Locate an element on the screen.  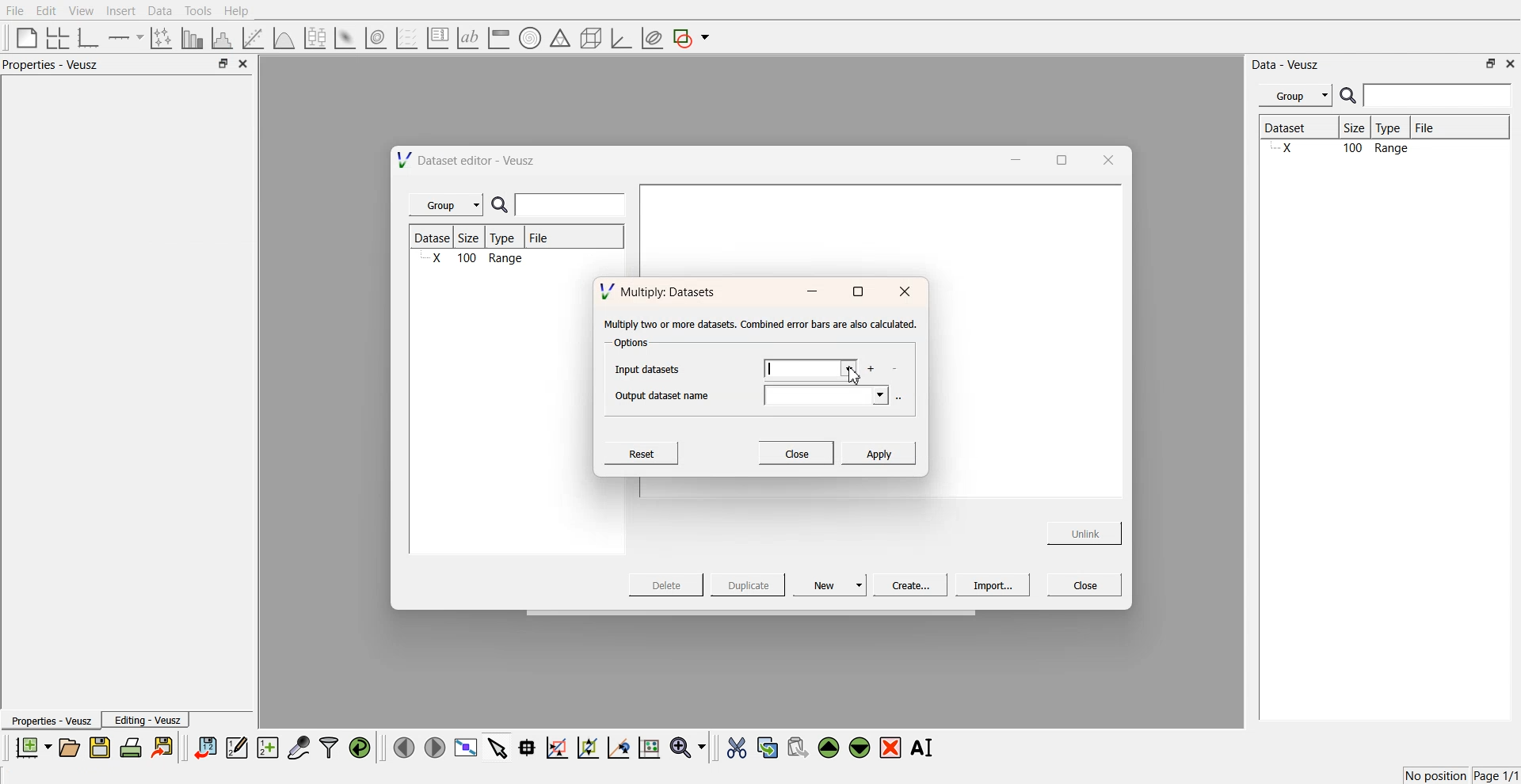
read data points is located at coordinates (527, 748).